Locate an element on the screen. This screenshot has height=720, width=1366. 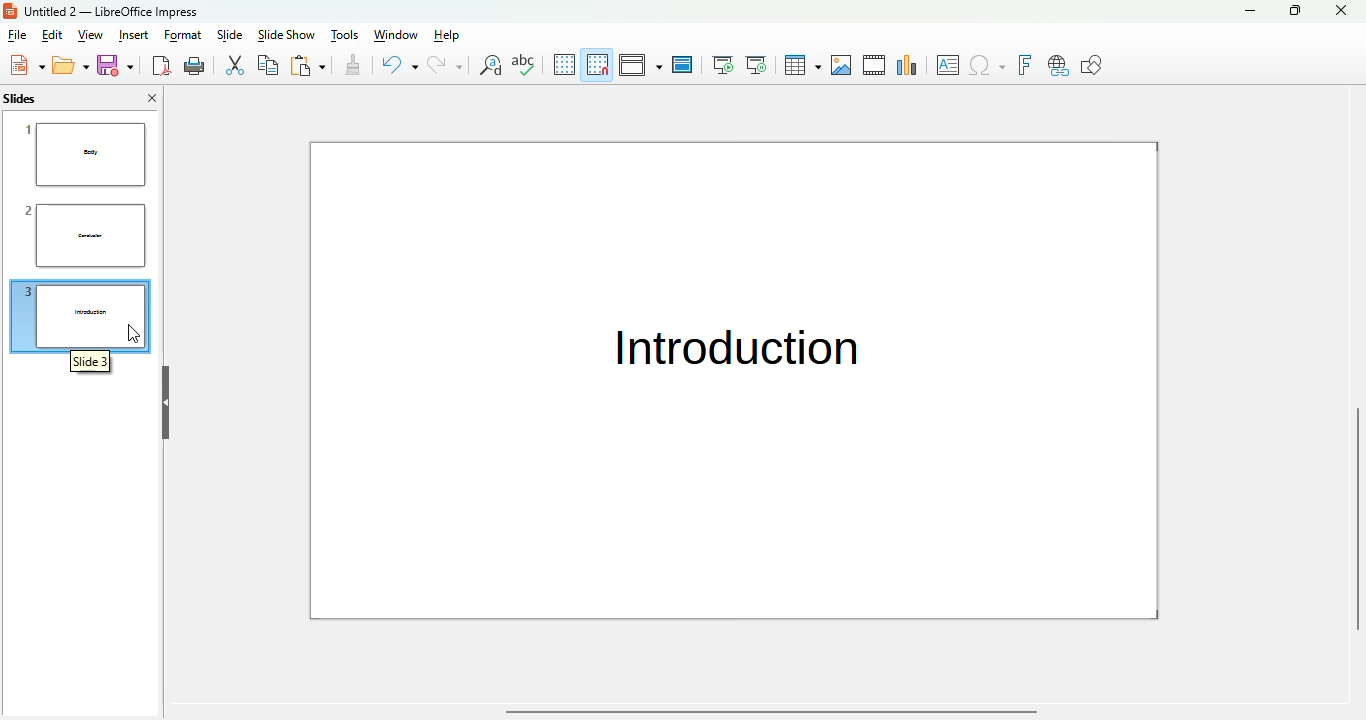
format is located at coordinates (183, 36).